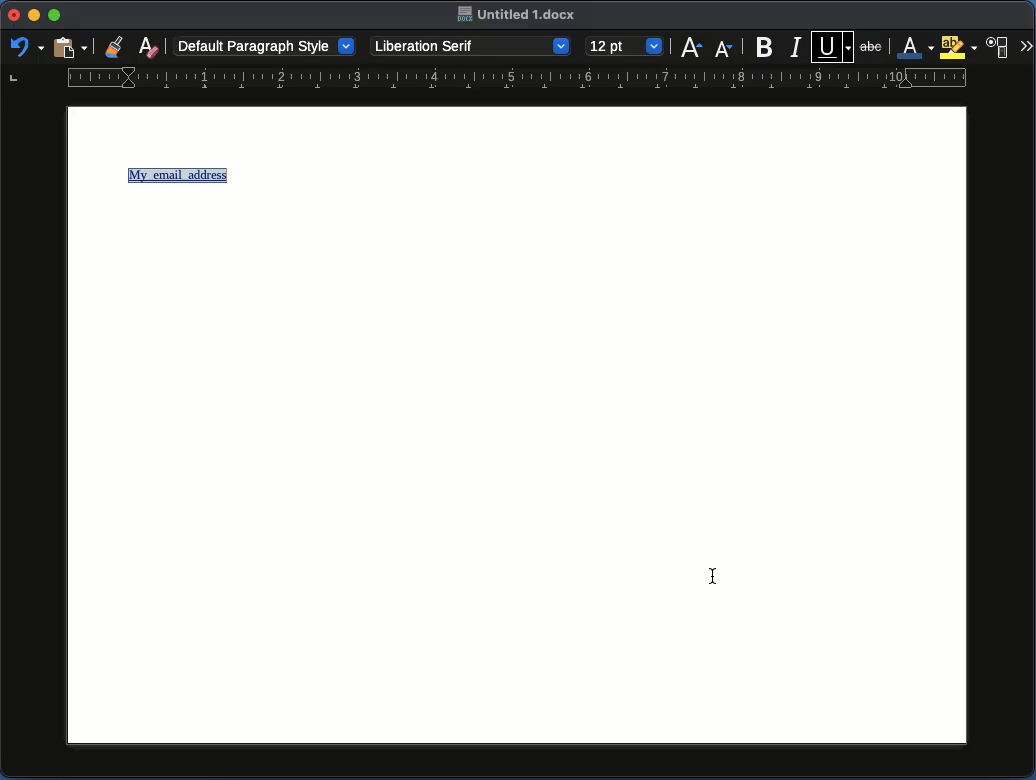 The image size is (1036, 780). Describe the element at coordinates (69, 49) in the screenshot. I see `Clipboard` at that location.